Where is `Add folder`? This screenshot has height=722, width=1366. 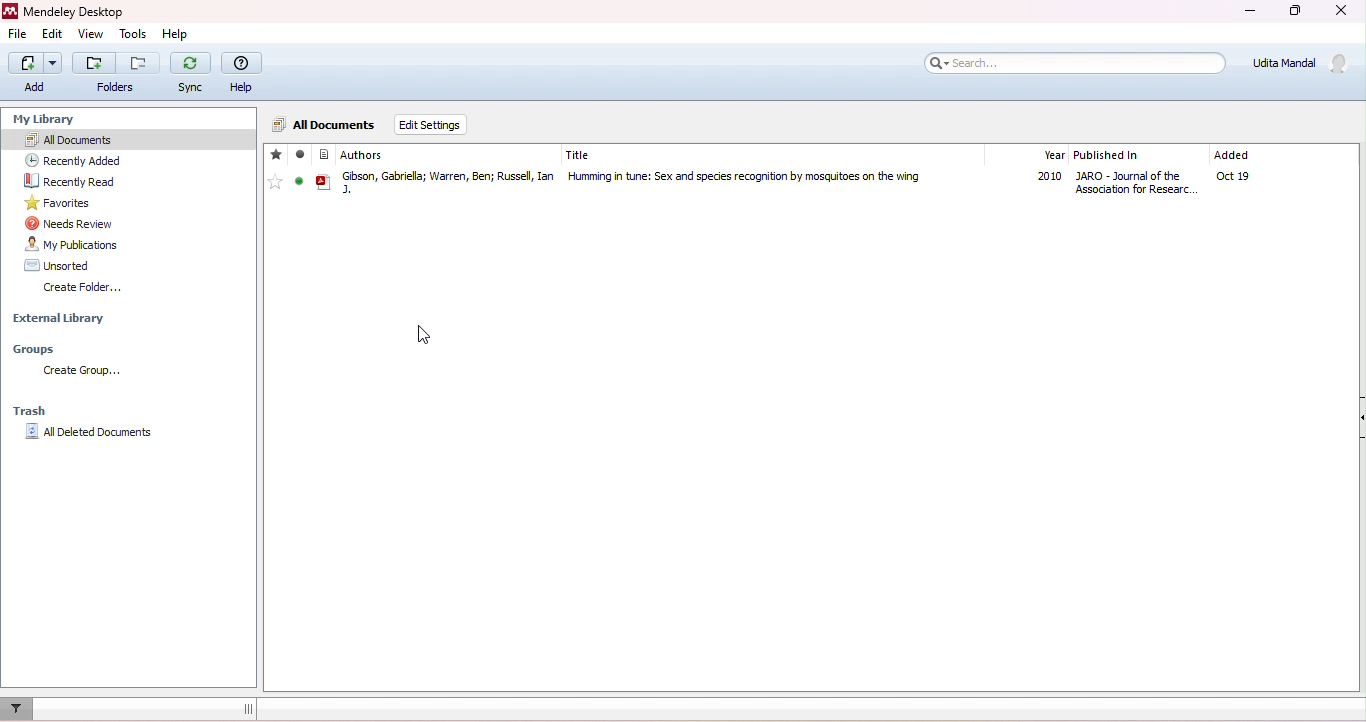 Add folder is located at coordinates (94, 63).